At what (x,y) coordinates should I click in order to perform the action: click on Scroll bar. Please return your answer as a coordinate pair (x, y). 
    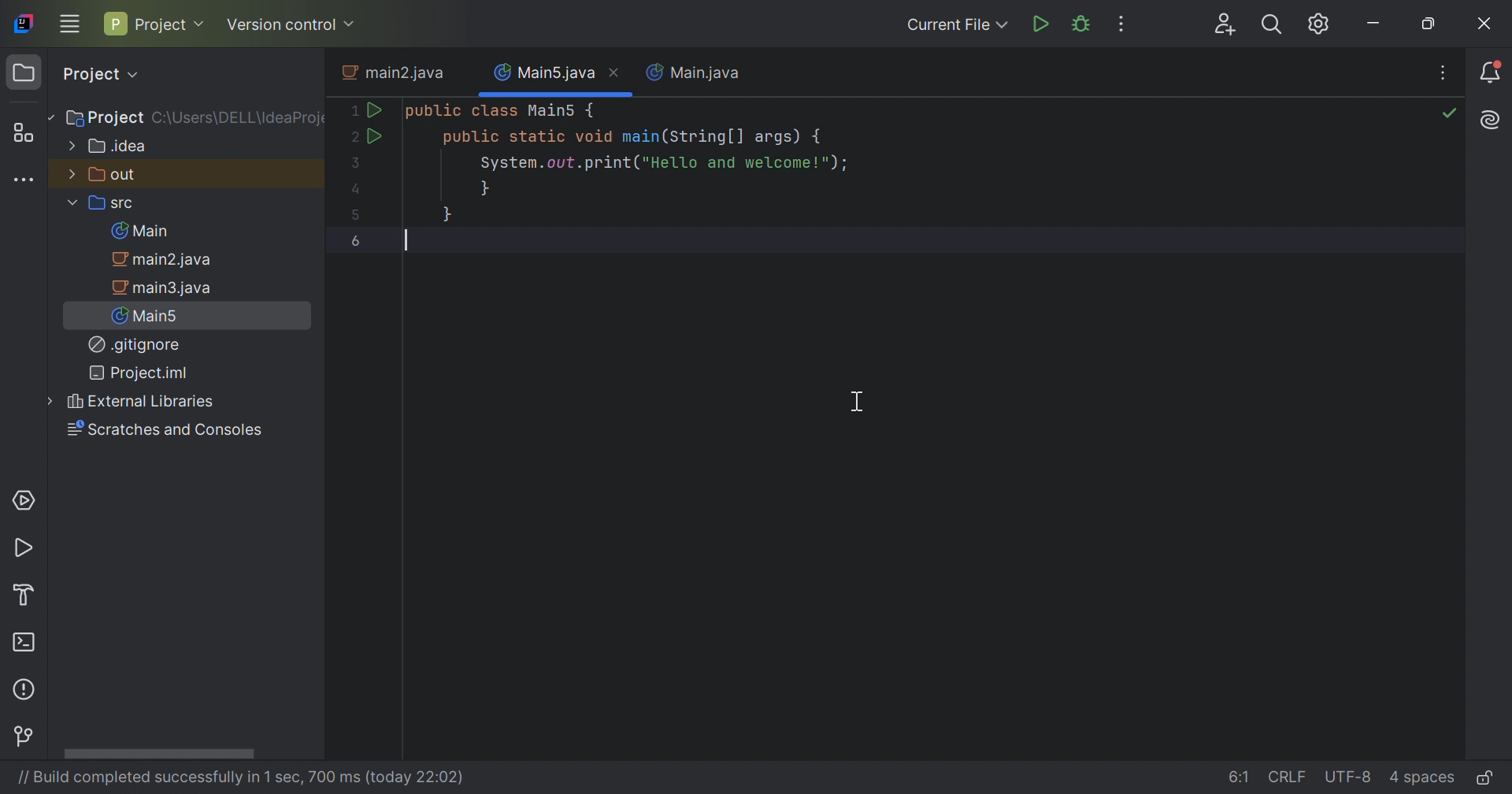
    Looking at the image, I should click on (158, 754).